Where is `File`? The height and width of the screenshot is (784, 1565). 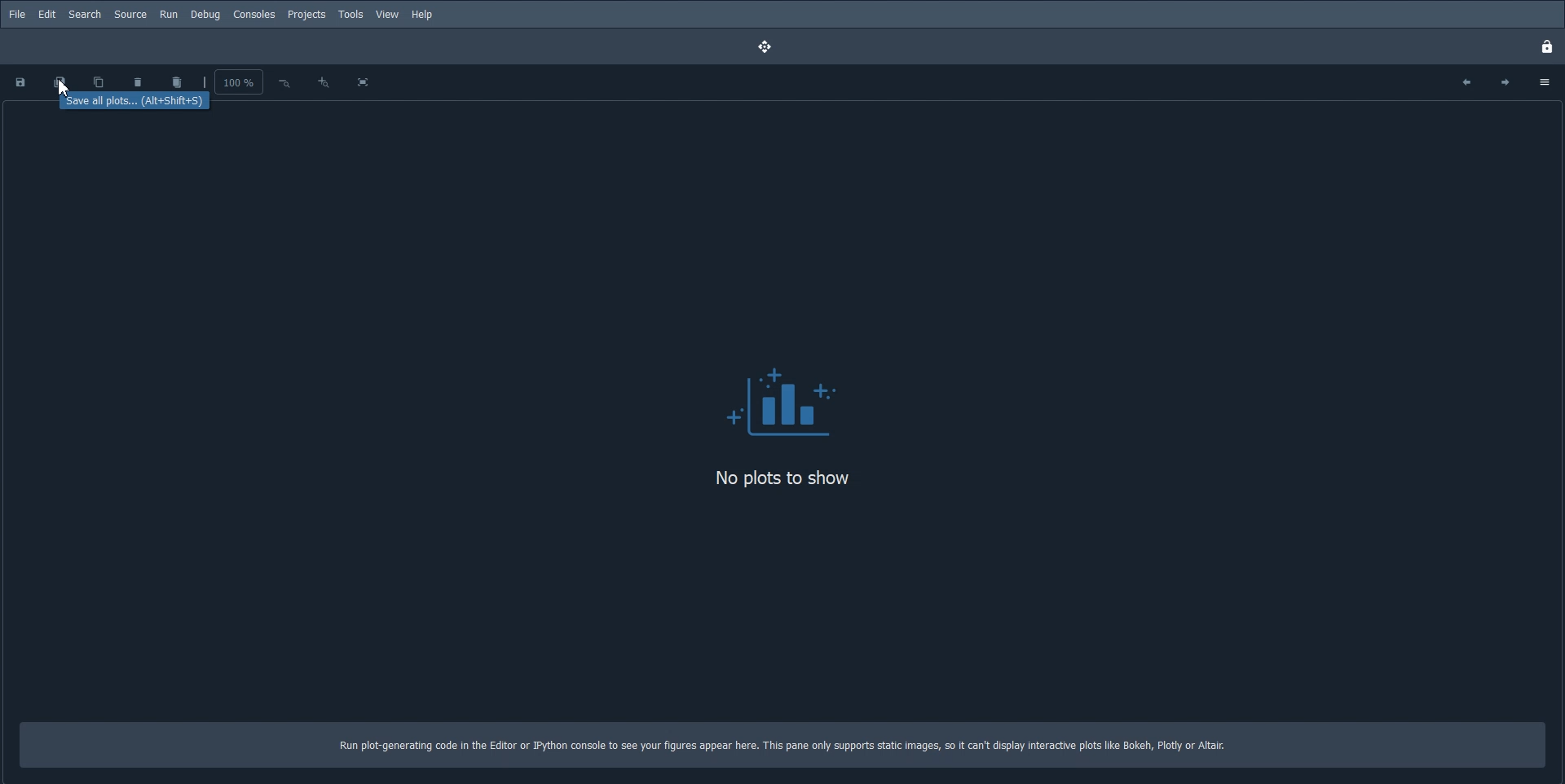 File is located at coordinates (18, 14).